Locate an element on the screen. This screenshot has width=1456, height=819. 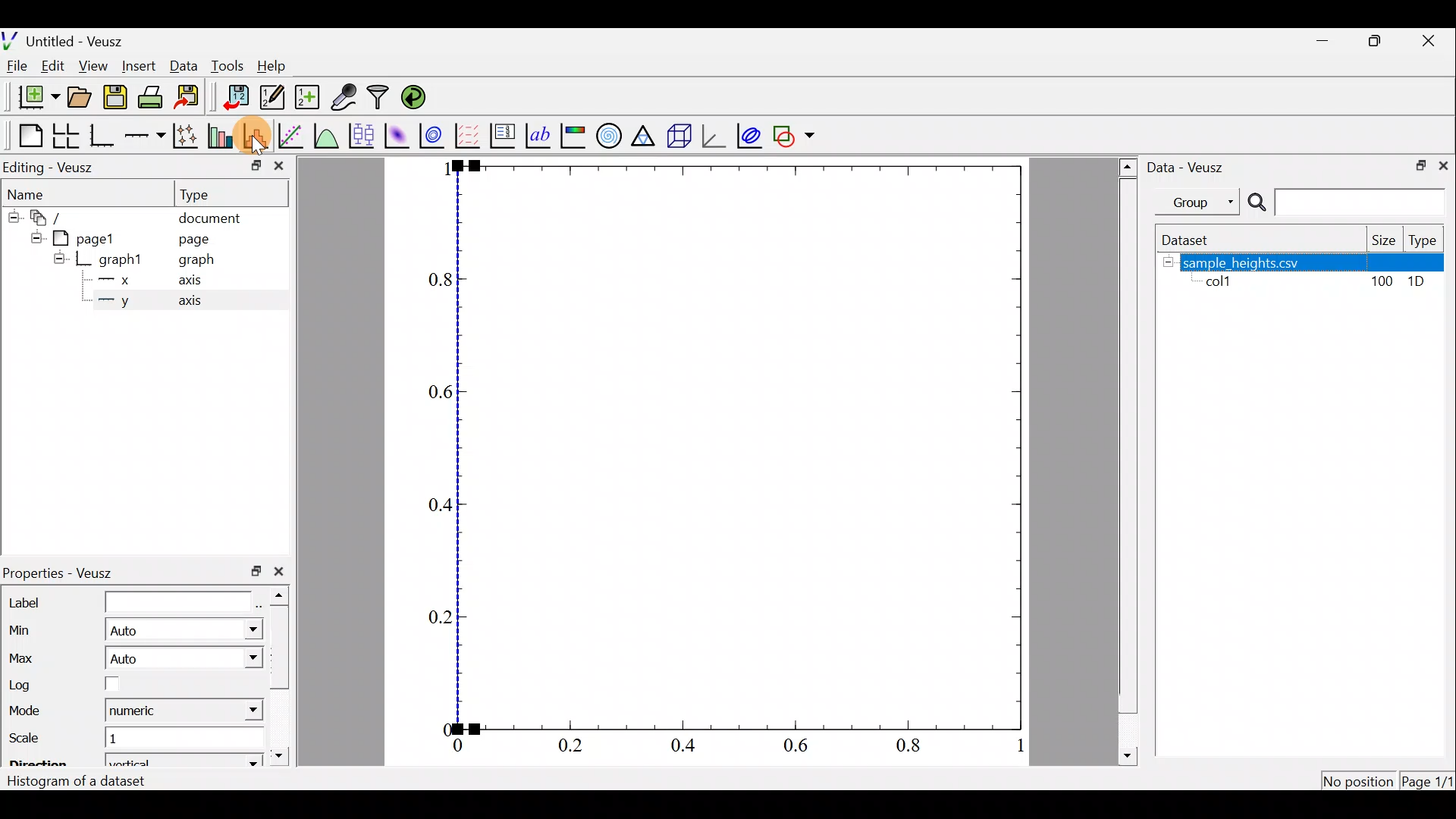
0.6 is located at coordinates (800, 748).